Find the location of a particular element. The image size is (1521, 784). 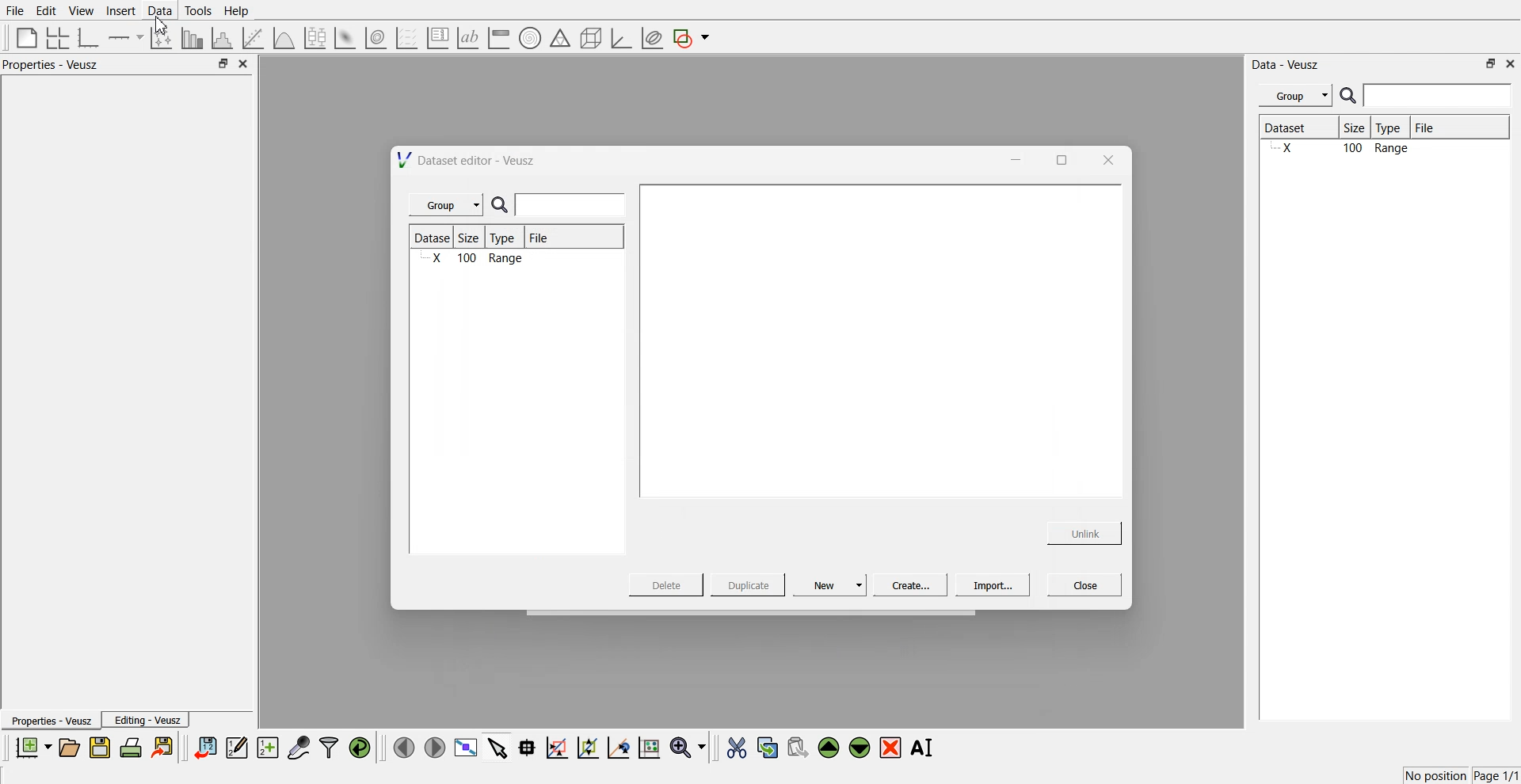

Properties - Veusz is located at coordinates (55, 65).